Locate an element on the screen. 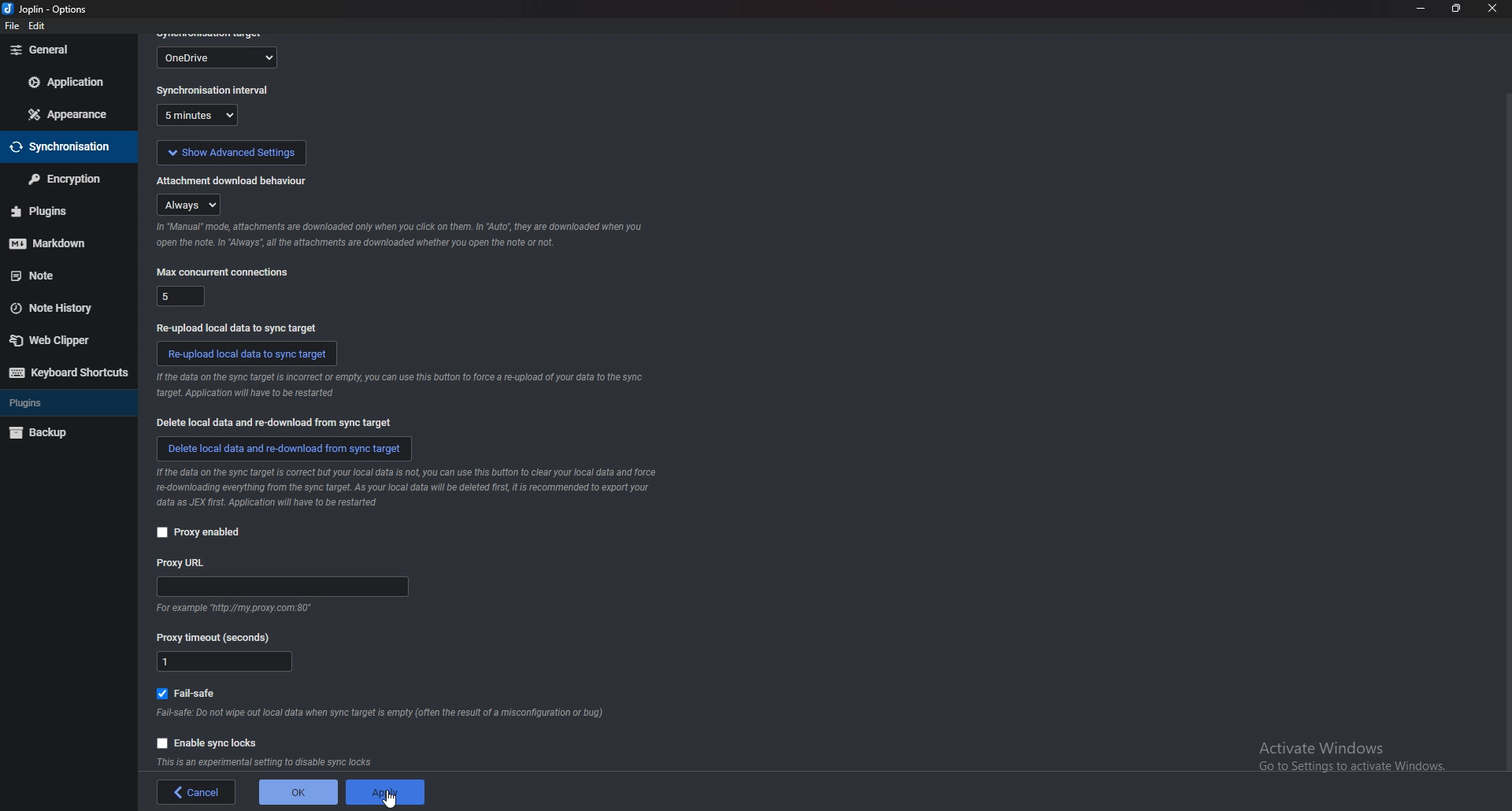  edit is located at coordinates (39, 27).